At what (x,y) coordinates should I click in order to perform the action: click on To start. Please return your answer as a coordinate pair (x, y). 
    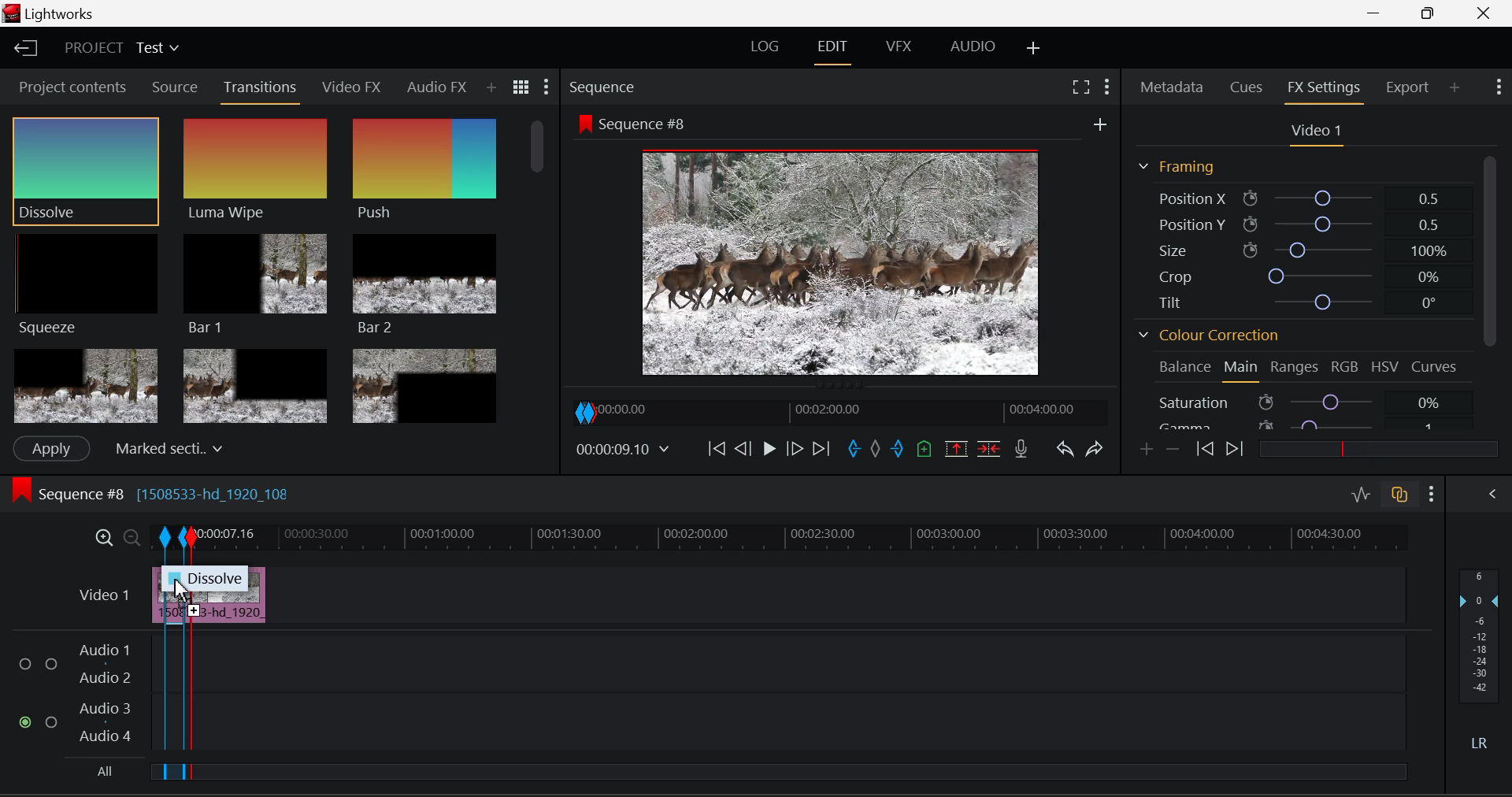
    Looking at the image, I should click on (717, 450).